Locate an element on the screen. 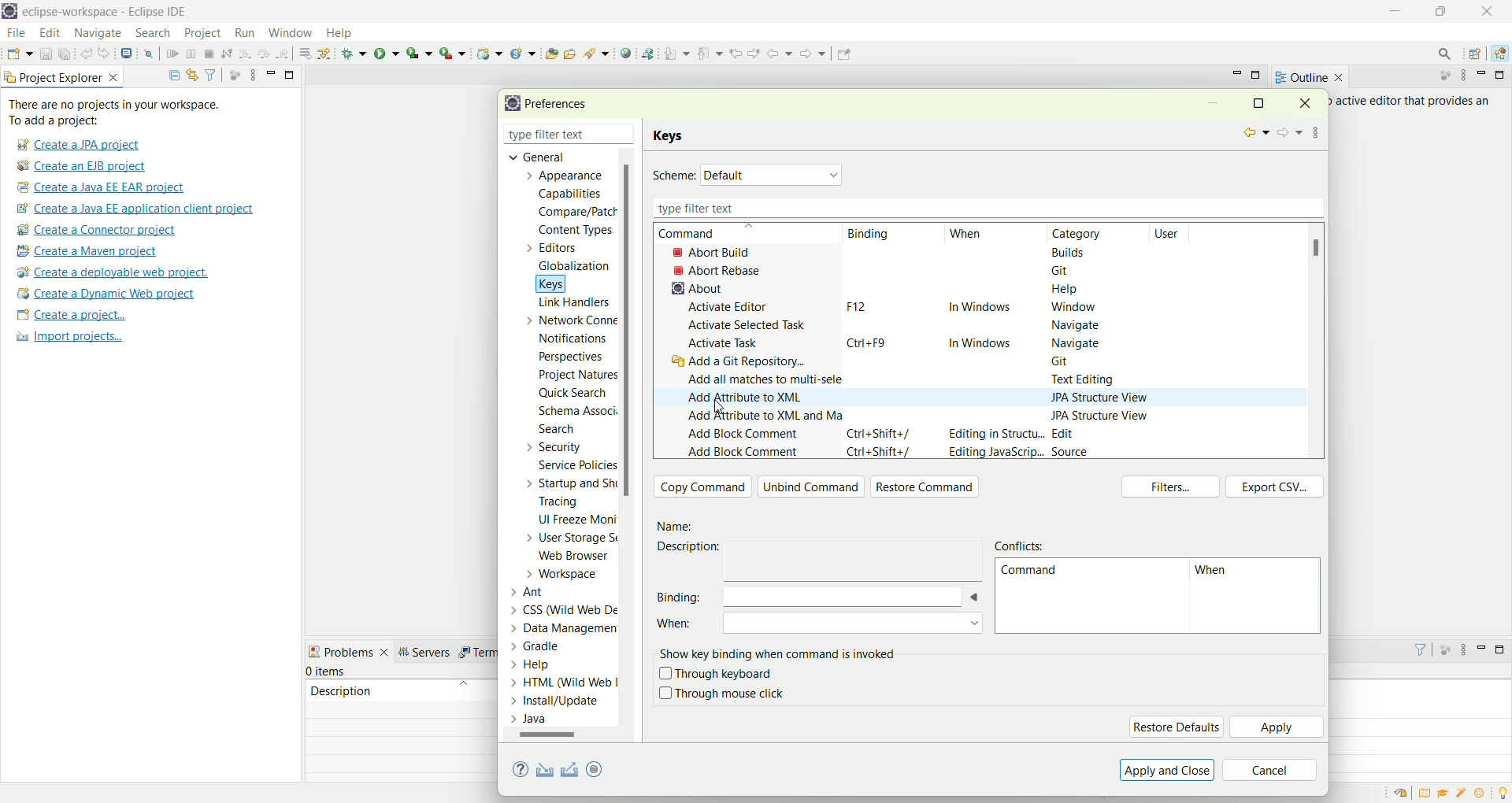 The width and height of the screenshot is (1512, 803). create a dynamic web project is located at coordinates (105, 294).